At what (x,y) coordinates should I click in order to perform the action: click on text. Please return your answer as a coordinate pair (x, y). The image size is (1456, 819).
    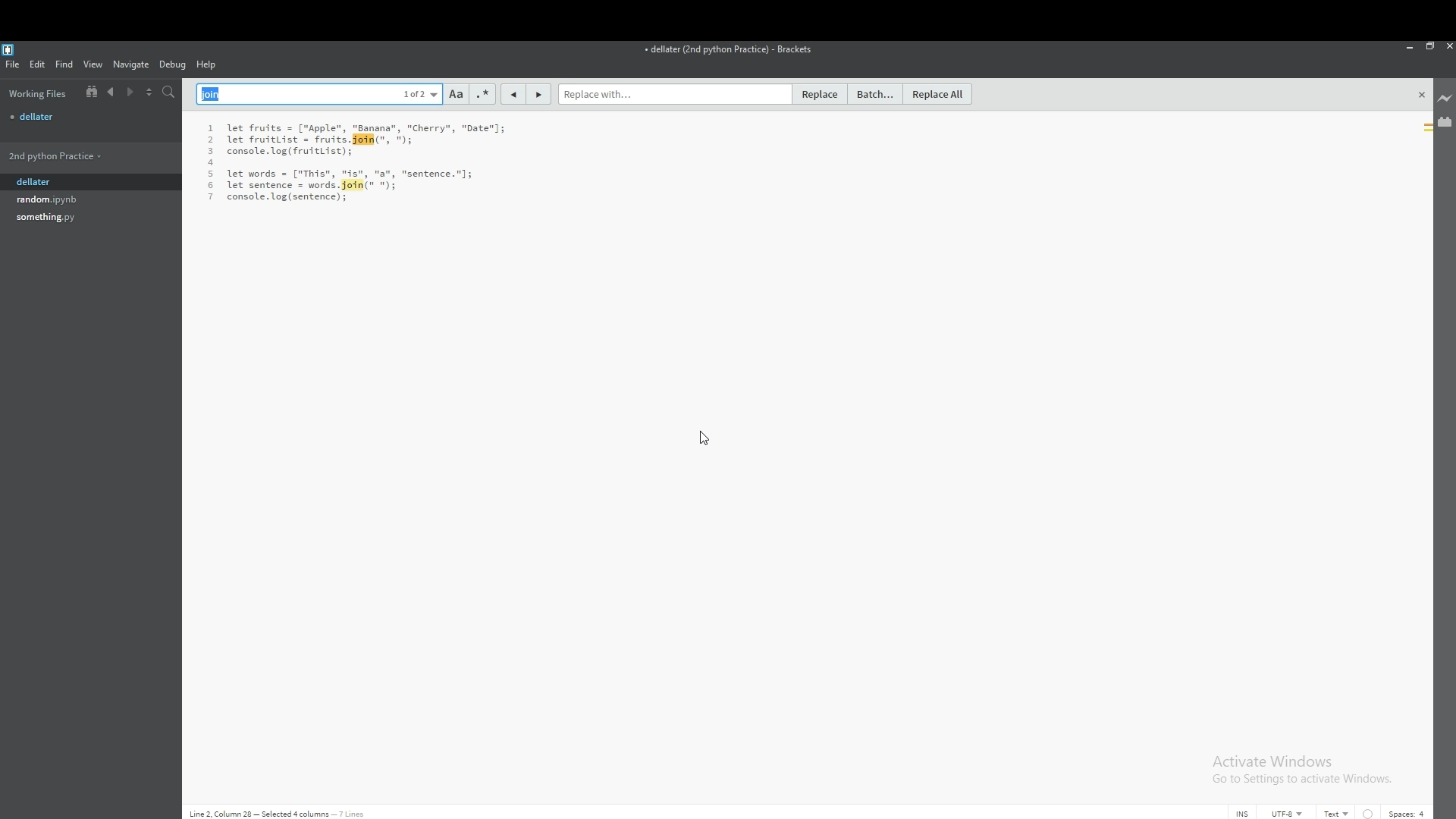
    Looking at the image, I should click on (1338, 813).